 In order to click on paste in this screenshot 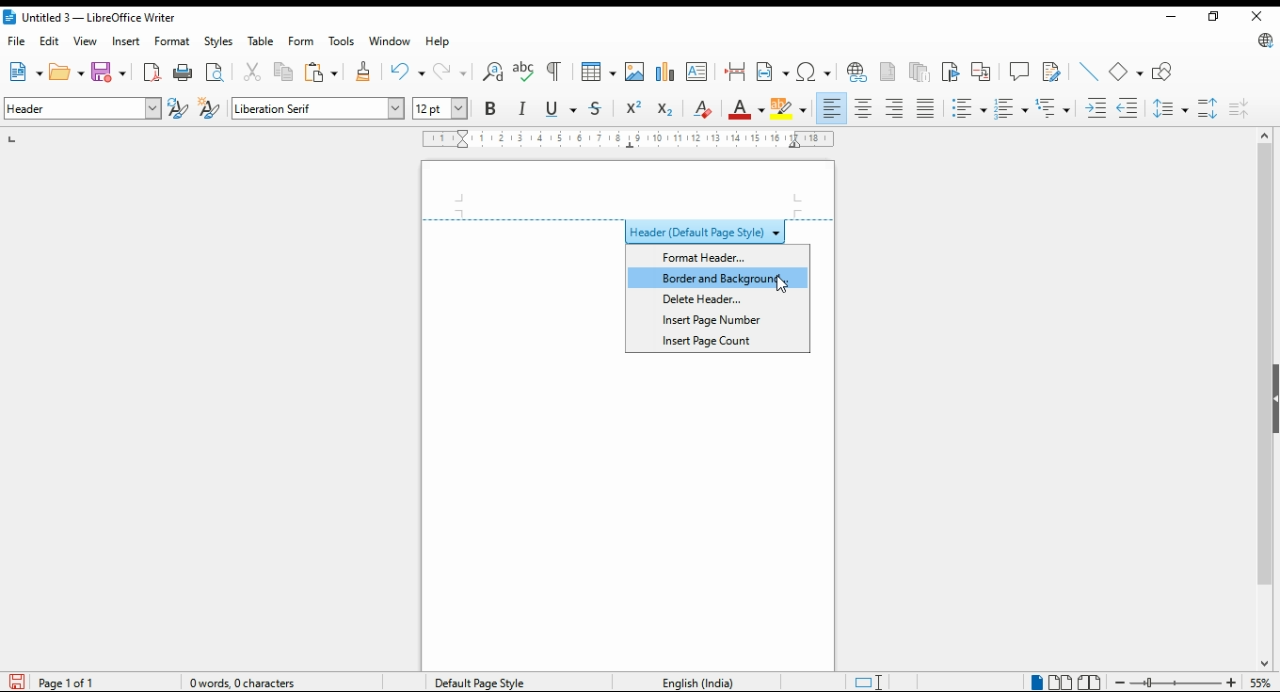, I will do `click(322, 72)`.